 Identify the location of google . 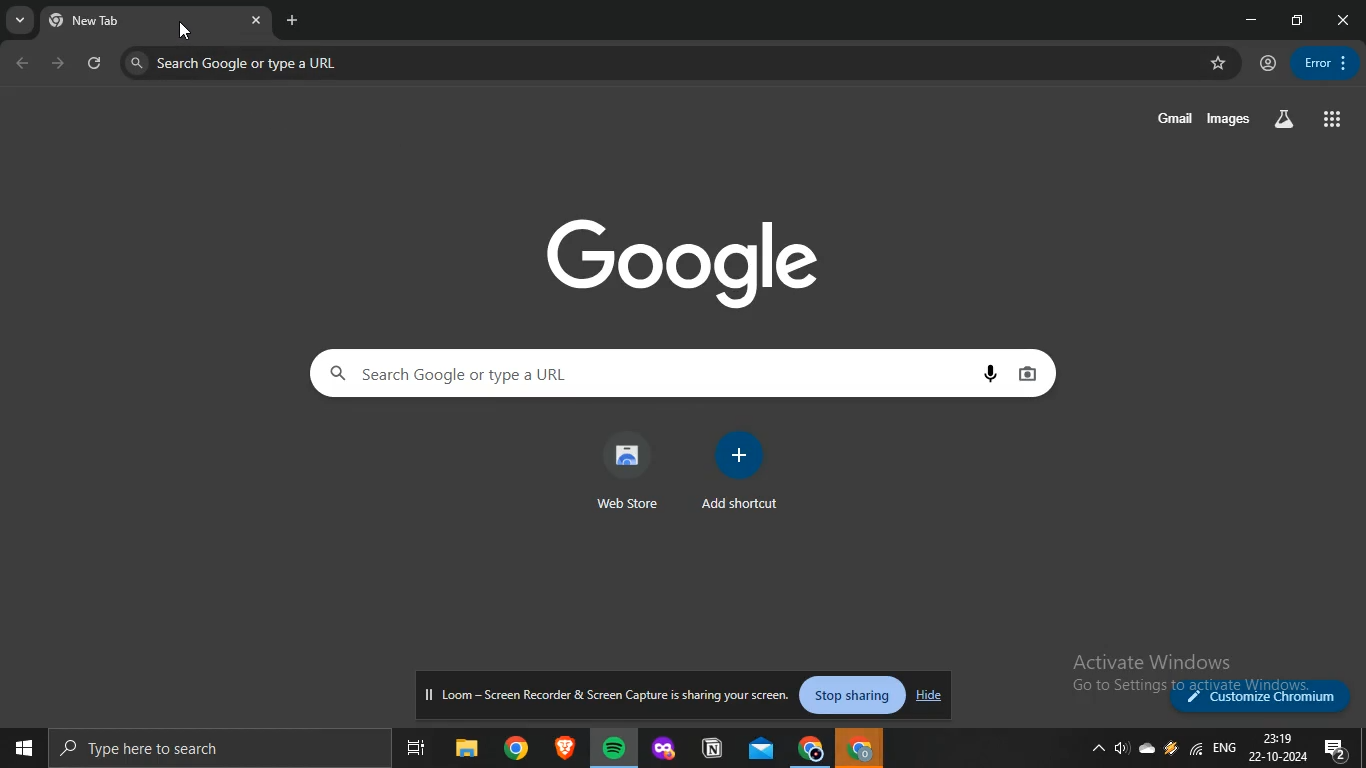
(687, 259).